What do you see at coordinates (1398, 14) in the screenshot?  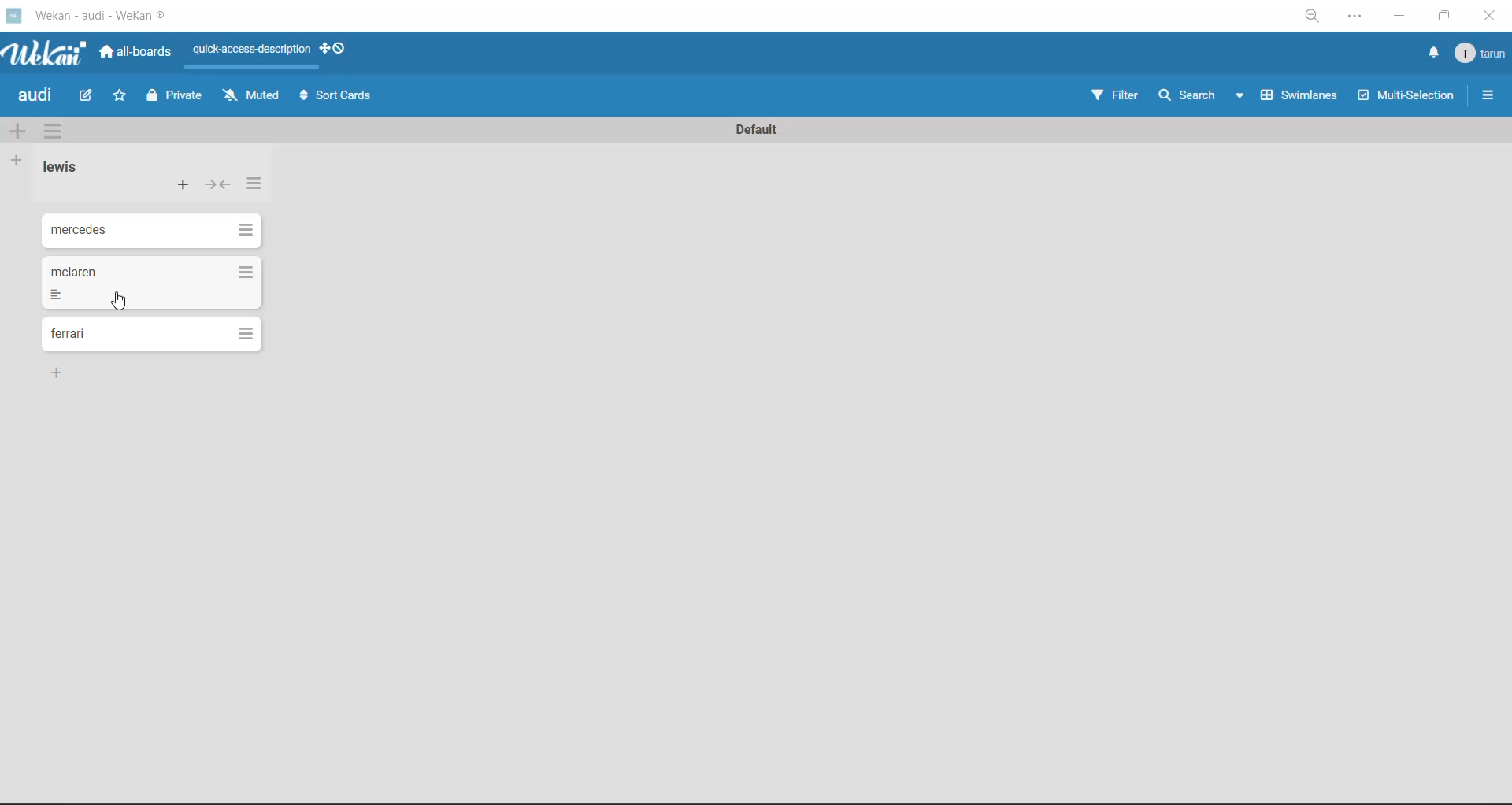 I see `minimize` at bounding box center [1398, 14].